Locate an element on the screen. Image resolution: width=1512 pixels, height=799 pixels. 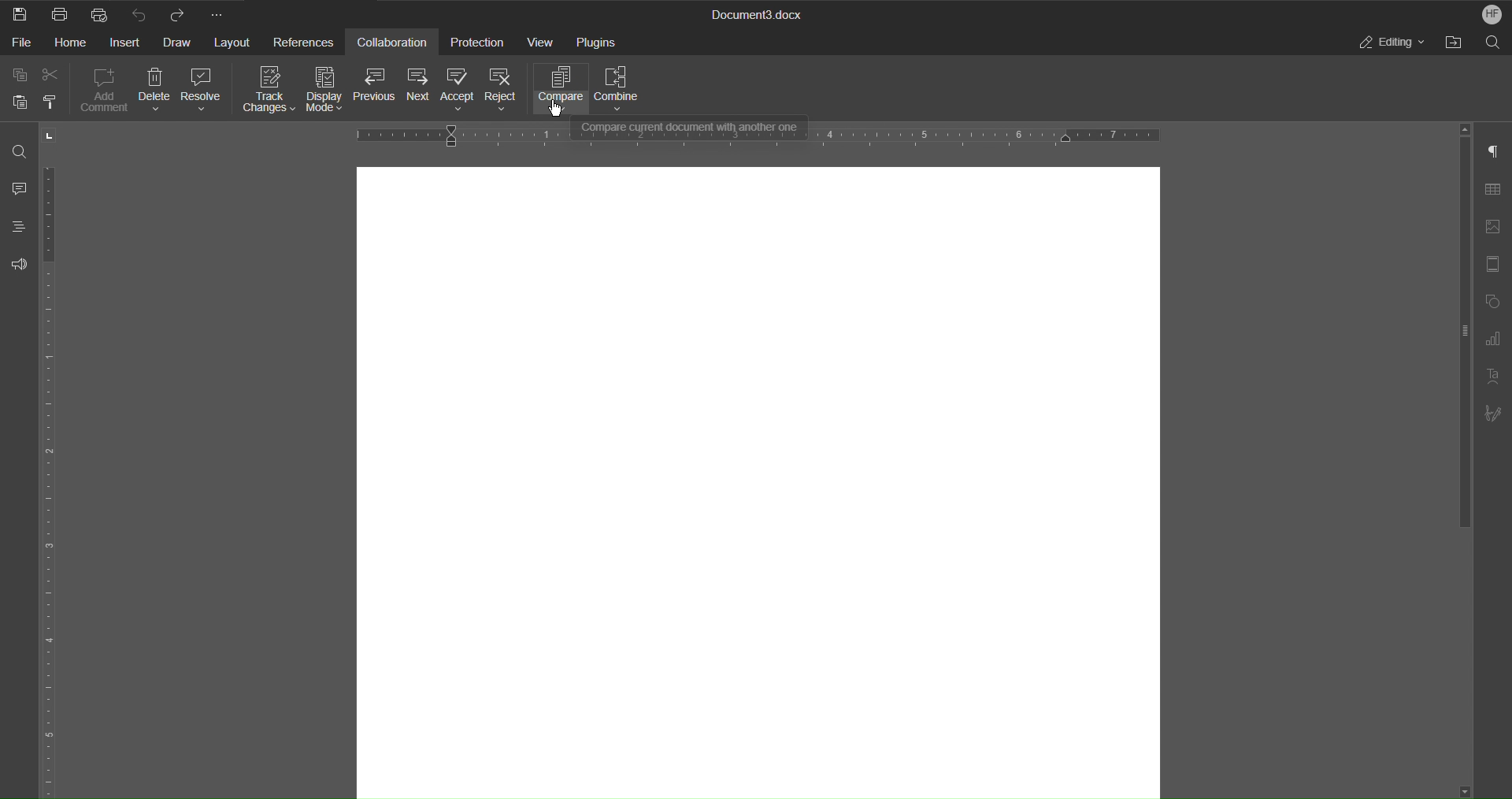
Shape Settings is located at coordinates (1495, 301).